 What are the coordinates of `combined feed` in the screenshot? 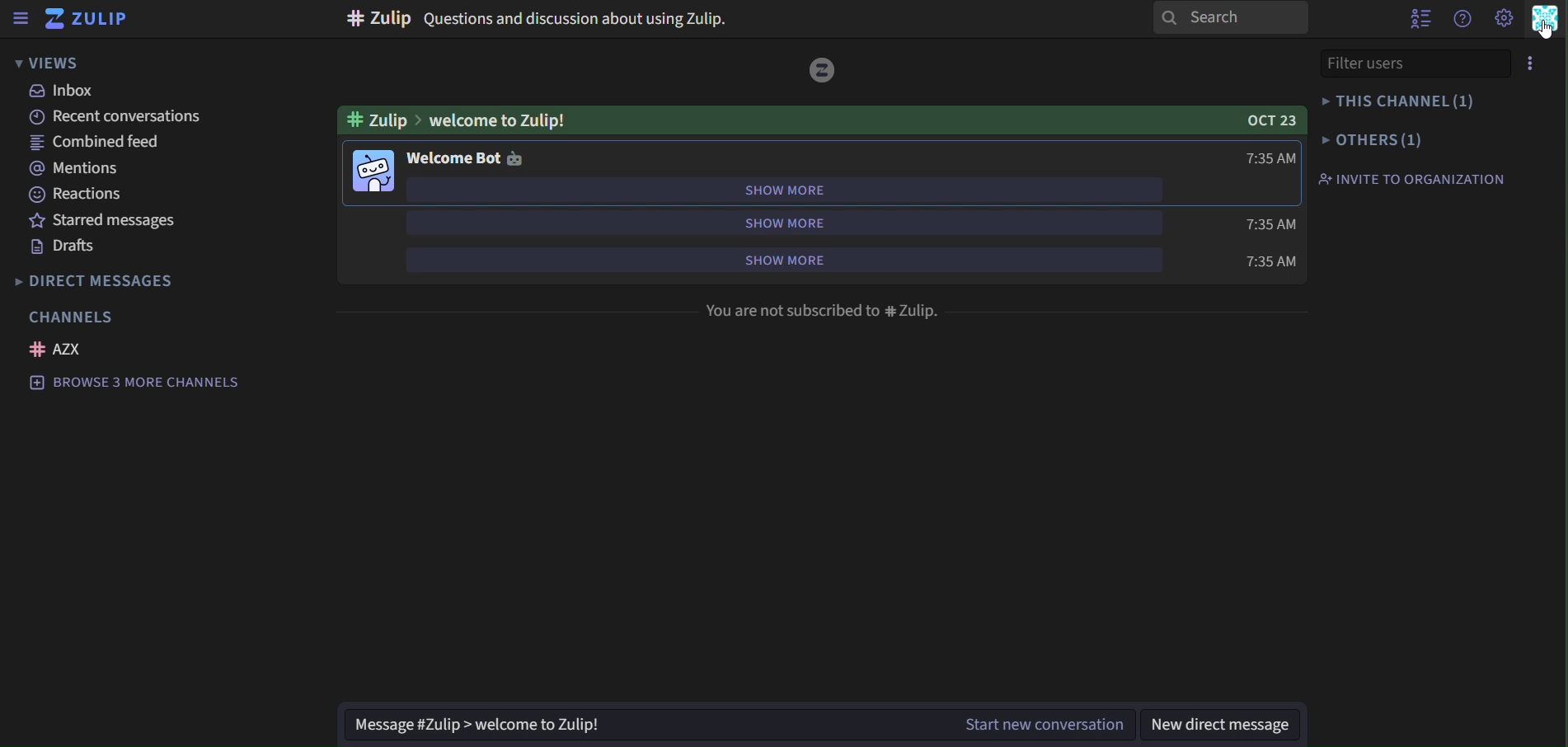 It's located at (110, 142).